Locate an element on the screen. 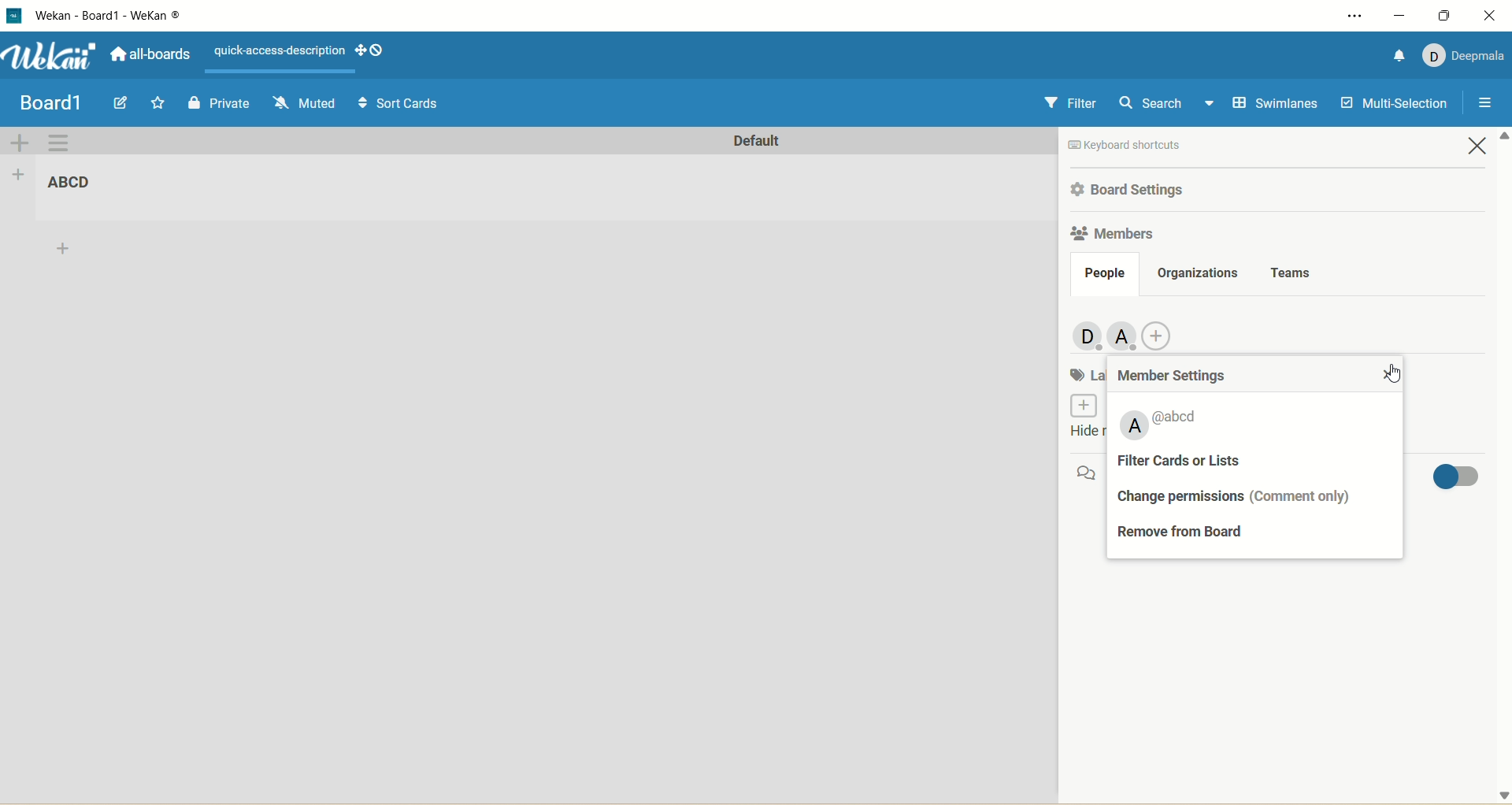 The width and height of the screenshot is (1512, 805). logo is located at coordinates (17, 16).